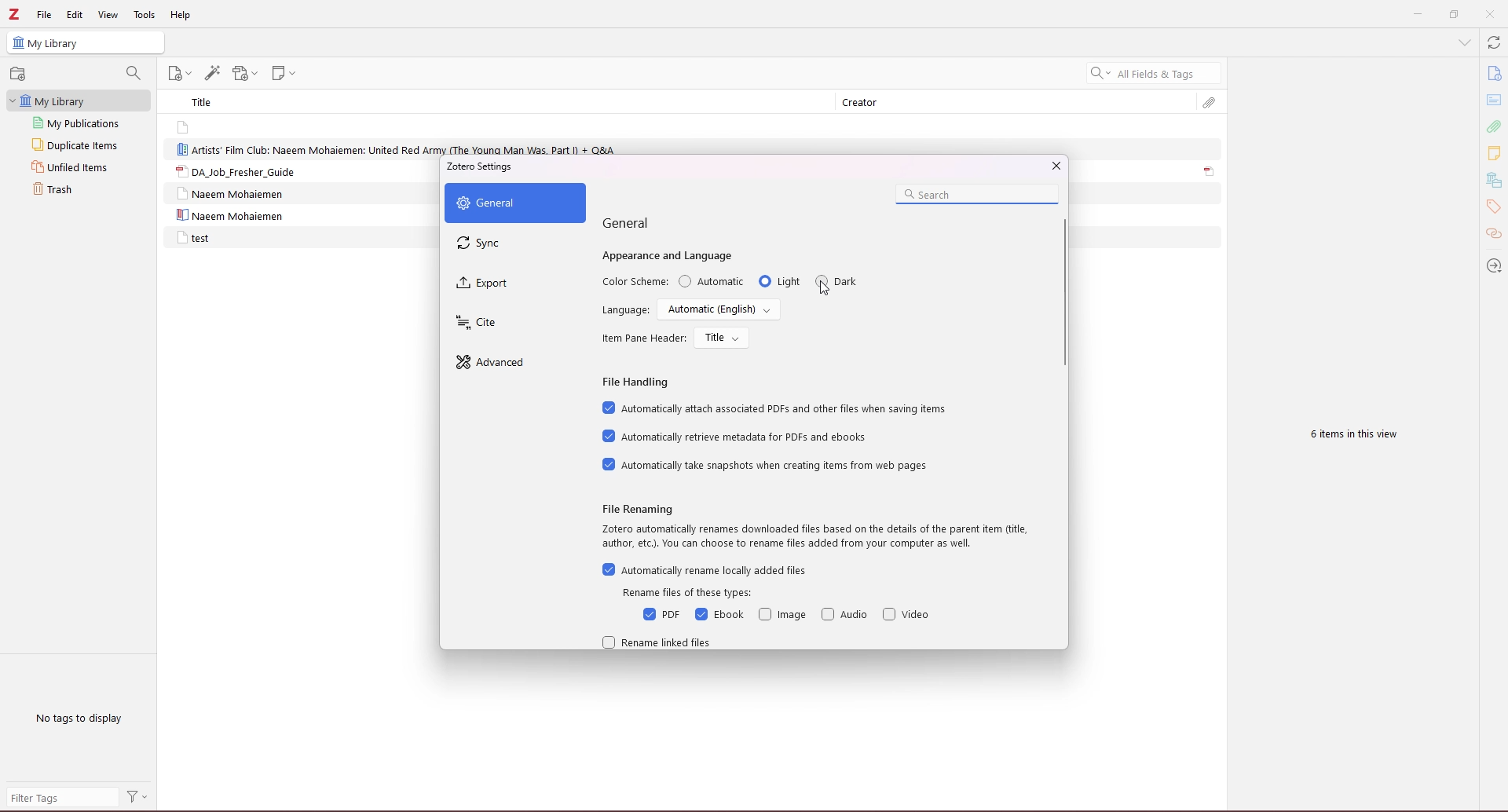 The width and height of the screenshot is (1508, 812). What do you see at coordinates (640, 509) in the screenshot?
I see `file renaming` at bounding box center [640, 509].